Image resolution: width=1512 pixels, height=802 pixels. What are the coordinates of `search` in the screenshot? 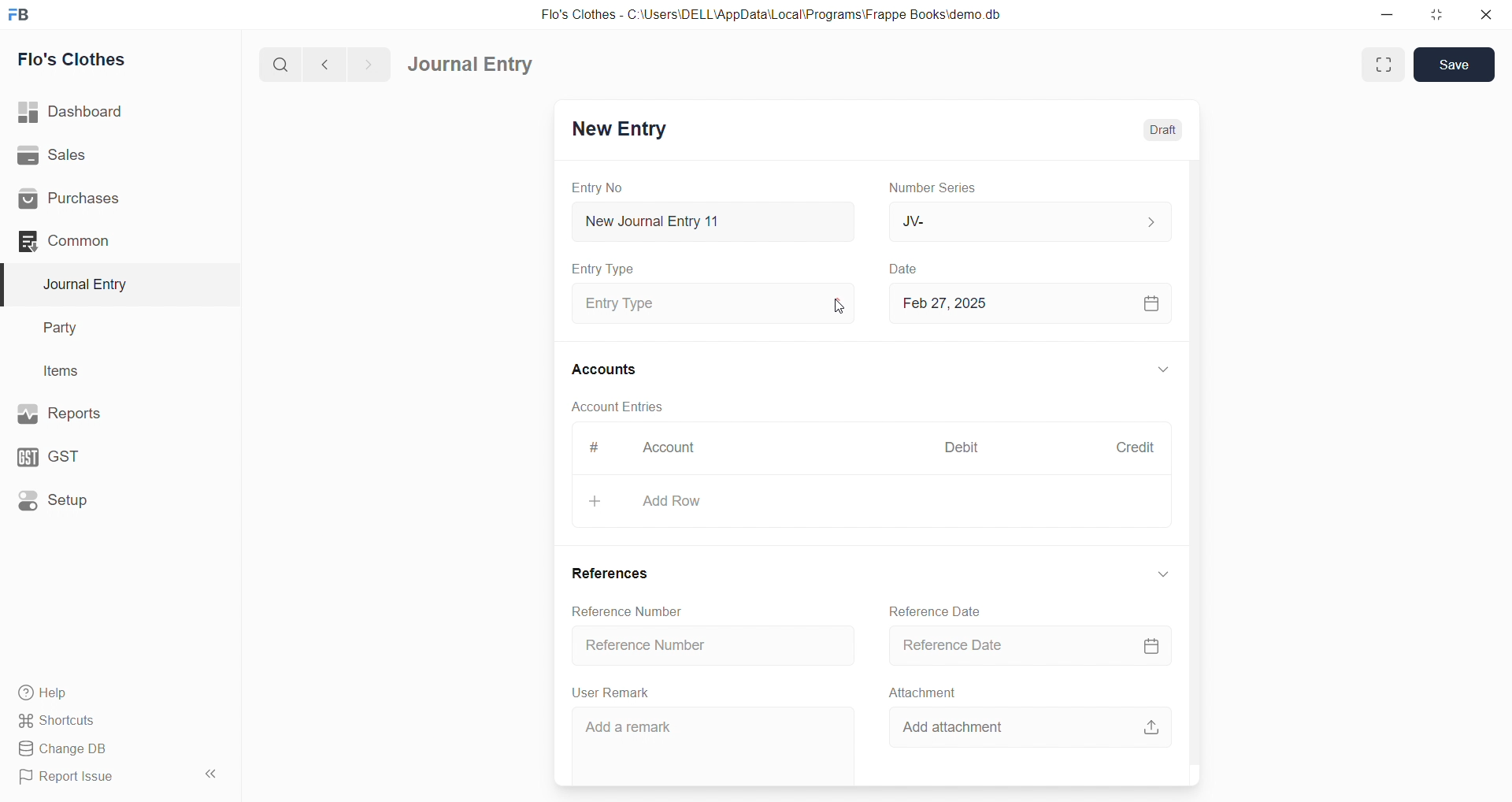 It's located at (278, 66).